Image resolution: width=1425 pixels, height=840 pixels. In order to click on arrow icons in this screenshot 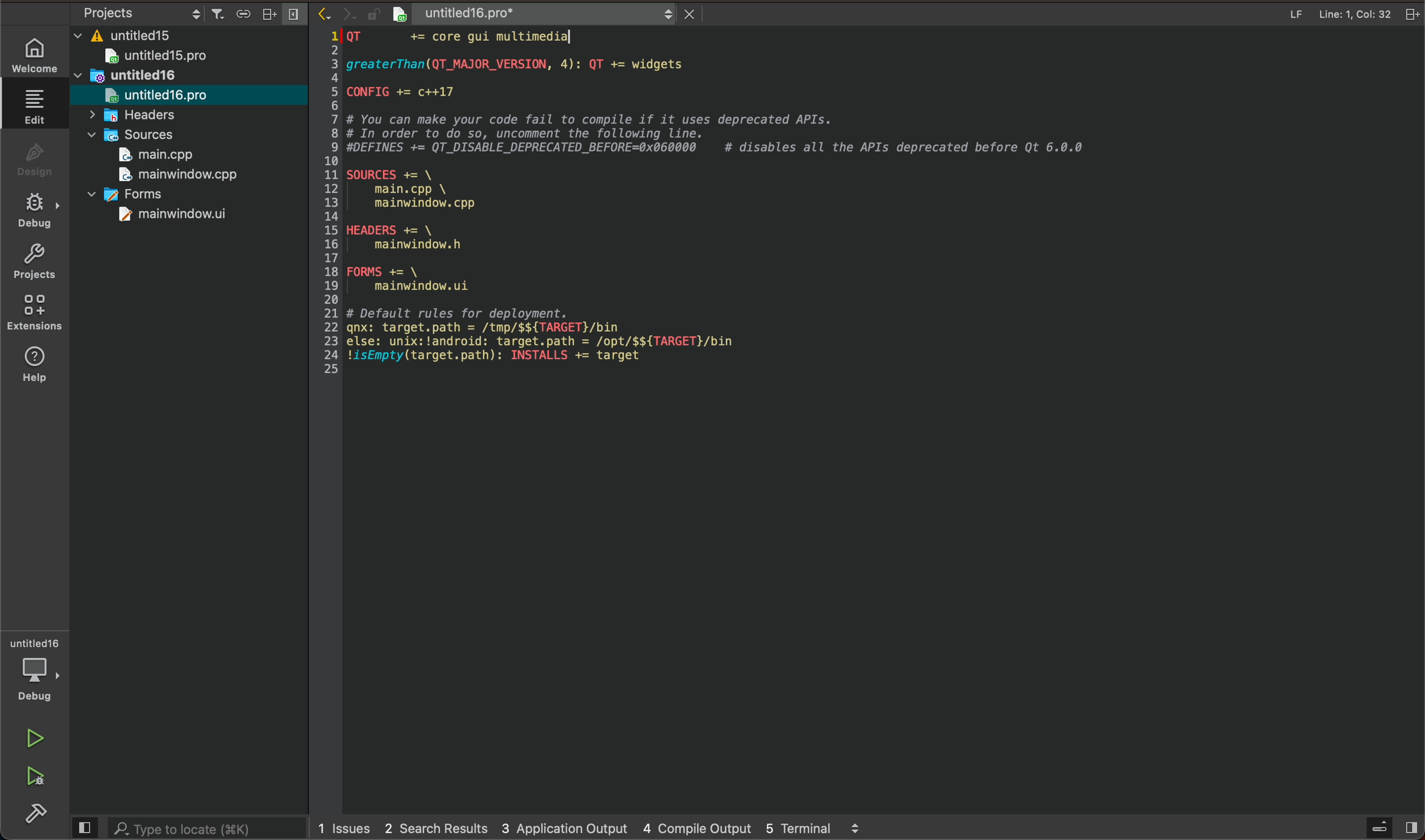, I will do `click(335, 13)`.